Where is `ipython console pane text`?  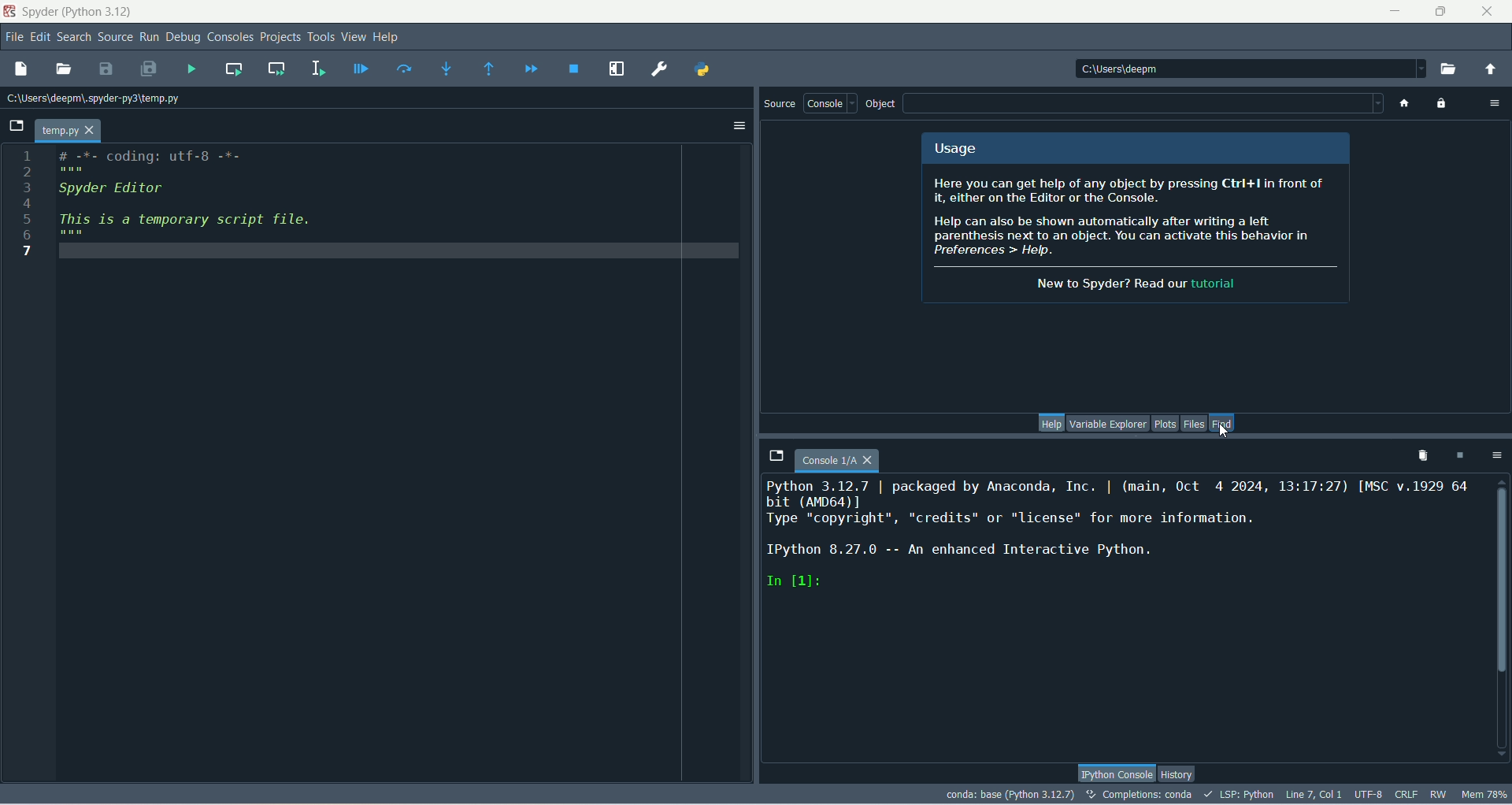
ipython console pane text is located at coordinates (1121, 538).